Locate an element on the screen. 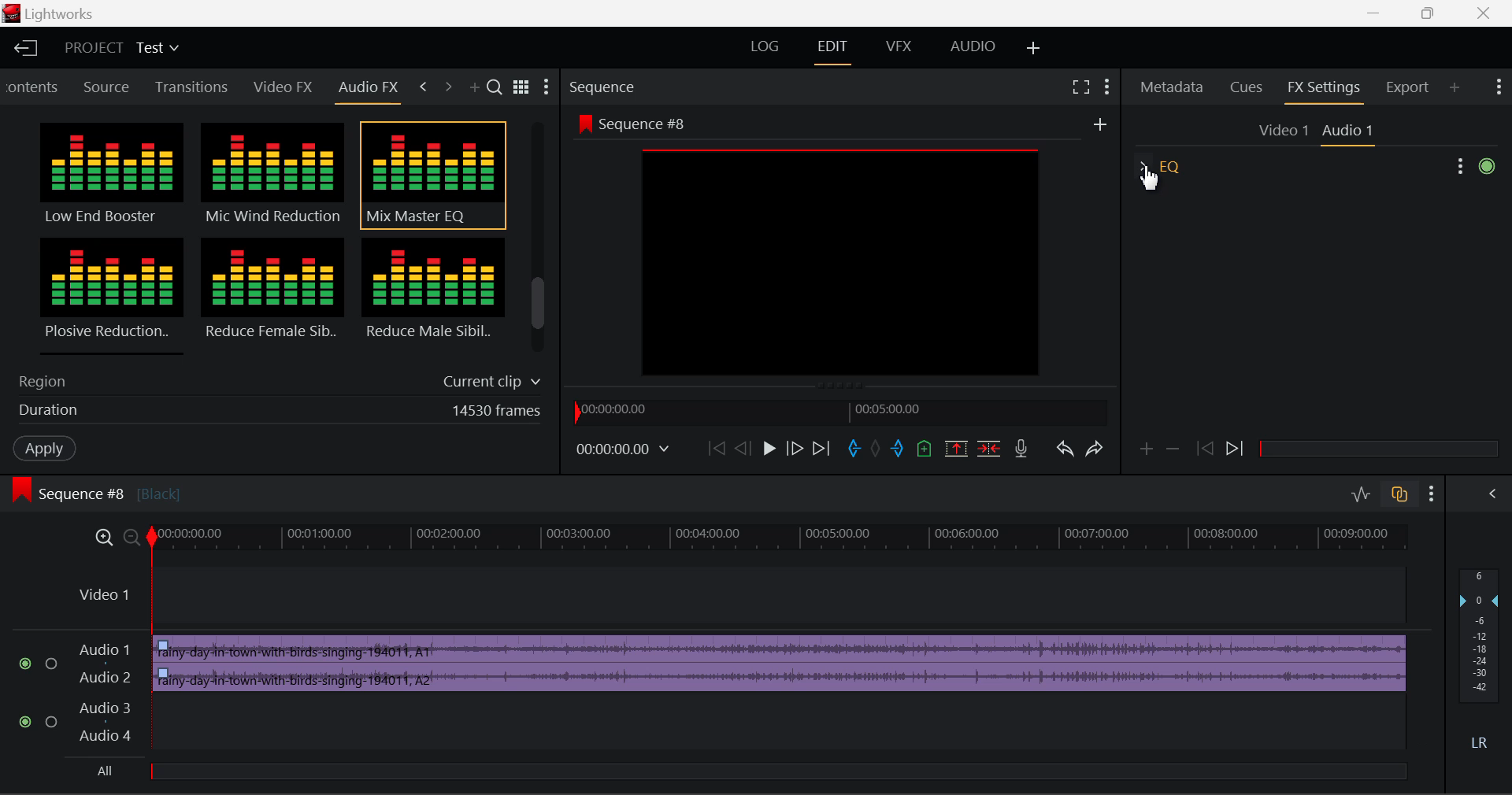  Mic Wind Reduction is located at coordinates (273, 176).